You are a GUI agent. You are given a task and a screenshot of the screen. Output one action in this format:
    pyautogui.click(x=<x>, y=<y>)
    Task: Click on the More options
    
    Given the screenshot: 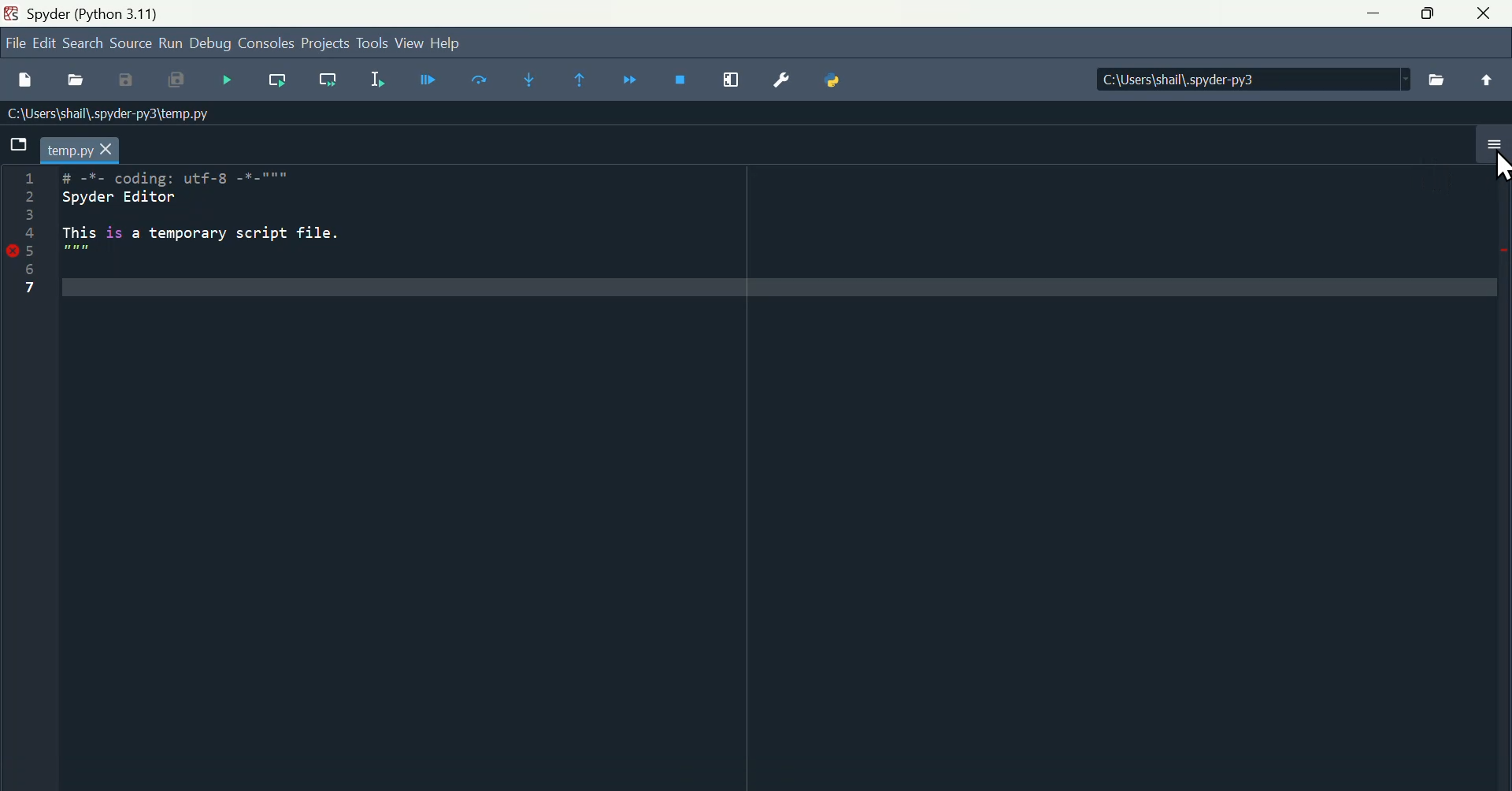 What is the action you would take?
    pyautogui.click(x=1490, y=153)
    